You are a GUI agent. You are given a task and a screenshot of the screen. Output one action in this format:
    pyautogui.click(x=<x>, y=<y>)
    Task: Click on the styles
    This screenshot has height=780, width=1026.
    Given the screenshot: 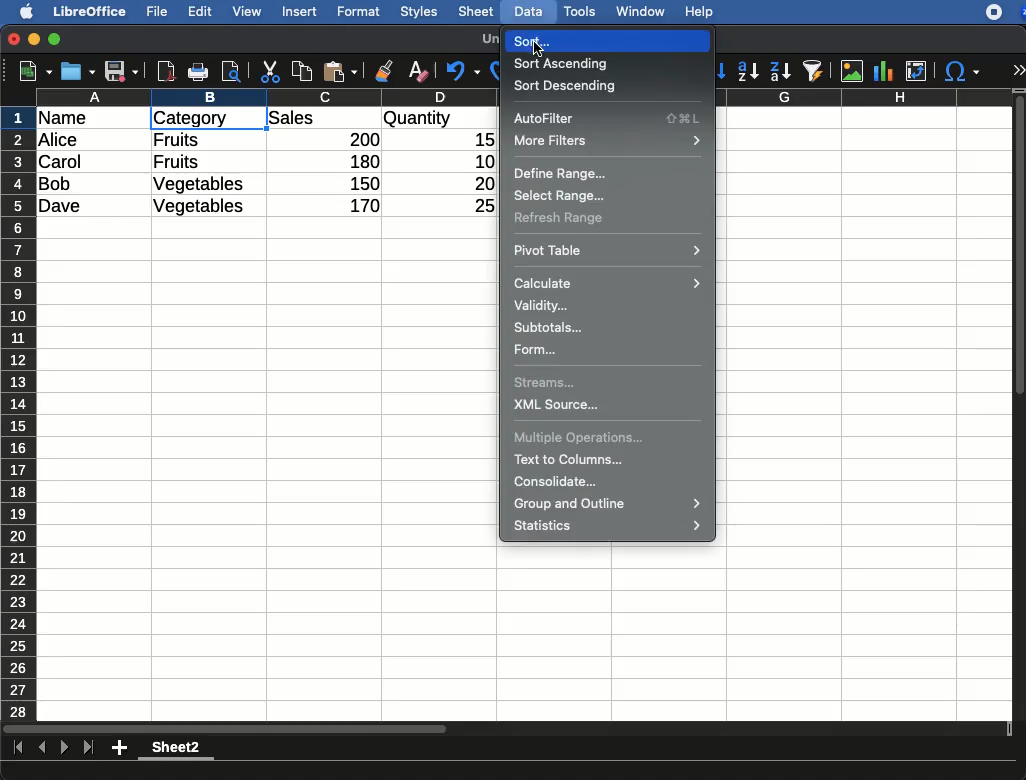 What is the action you would take?
    pyautogui.click(x=417, y=14)
    